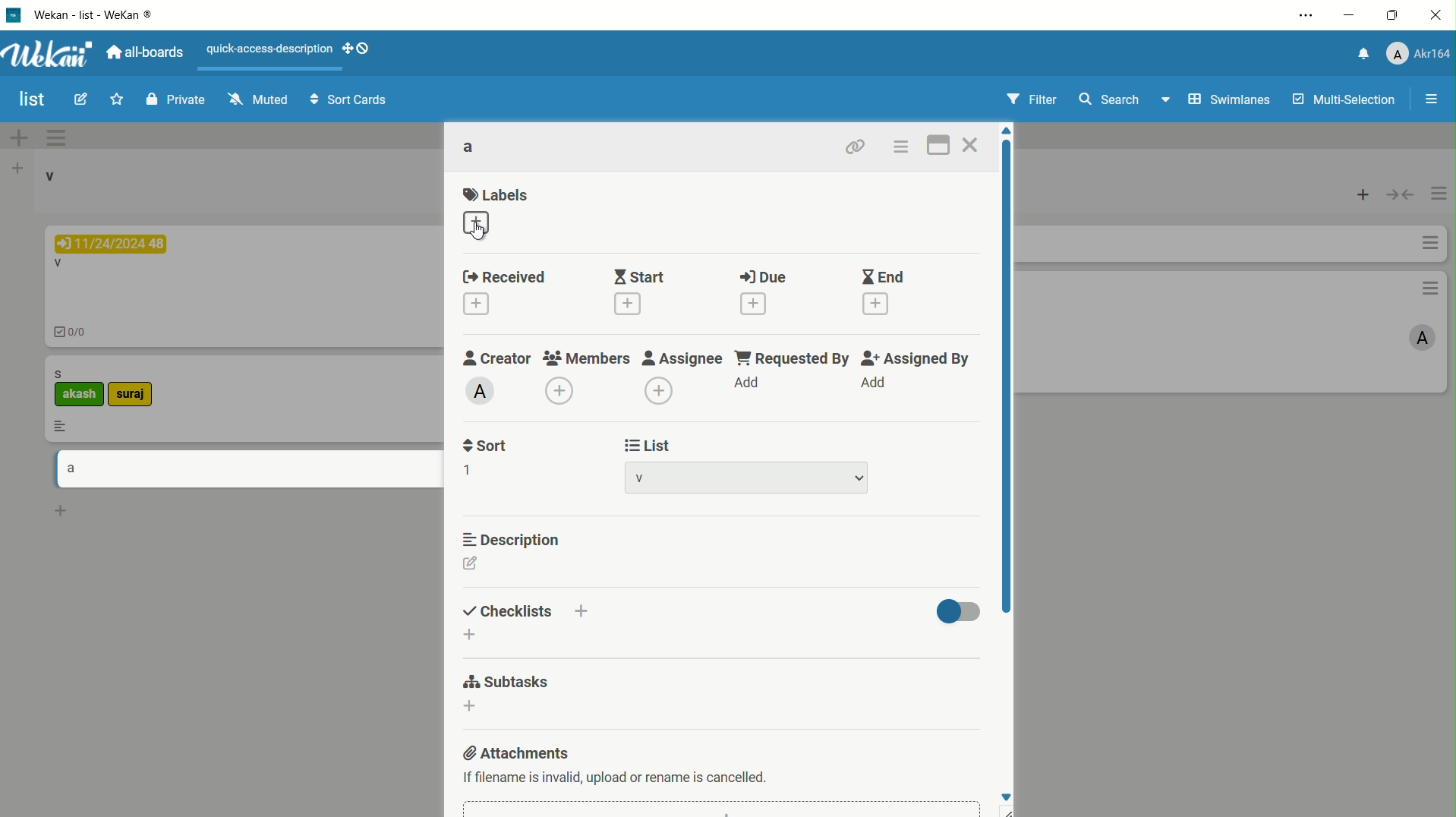 This screenshot has height=817, width=1456. What do you see at coordinates (900, 147) in the screenshot?
I see `card actions` at bounding box center [900, 147].